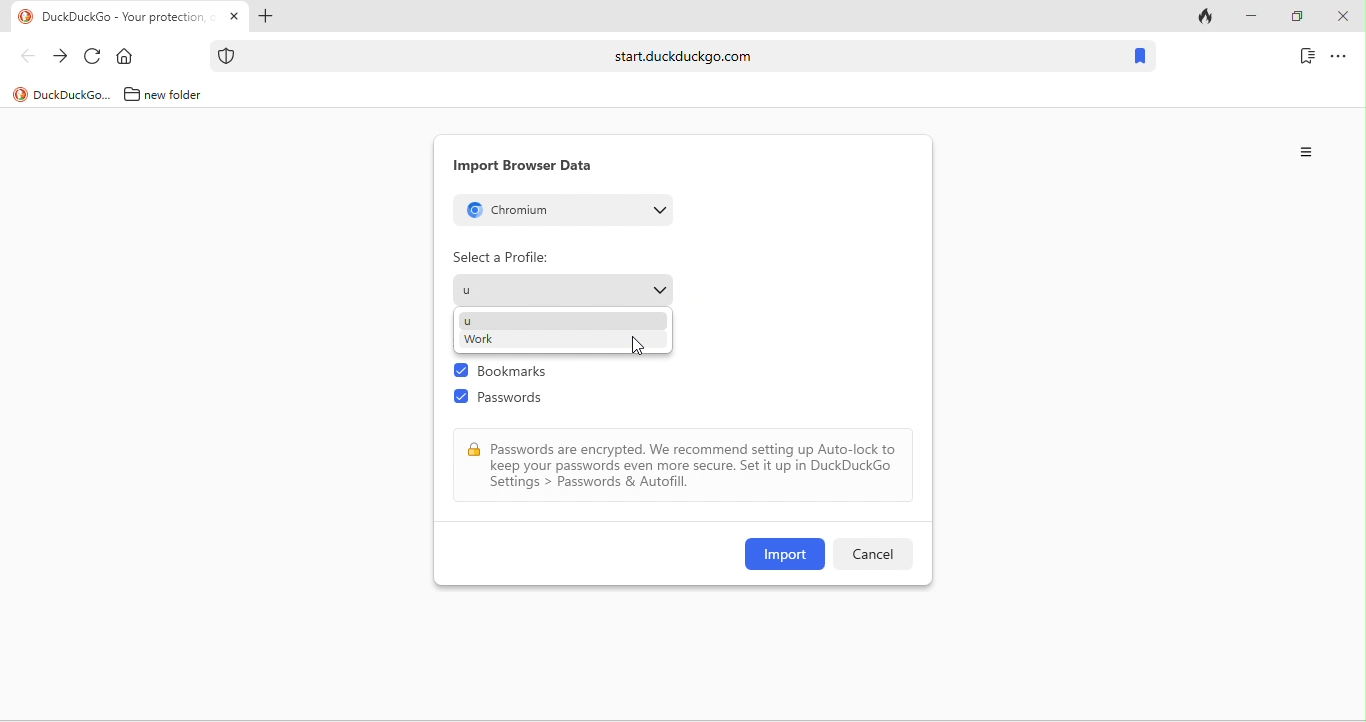 This screenshot has width=1366, height=722. I want to click on cursor, so click(636, 344).